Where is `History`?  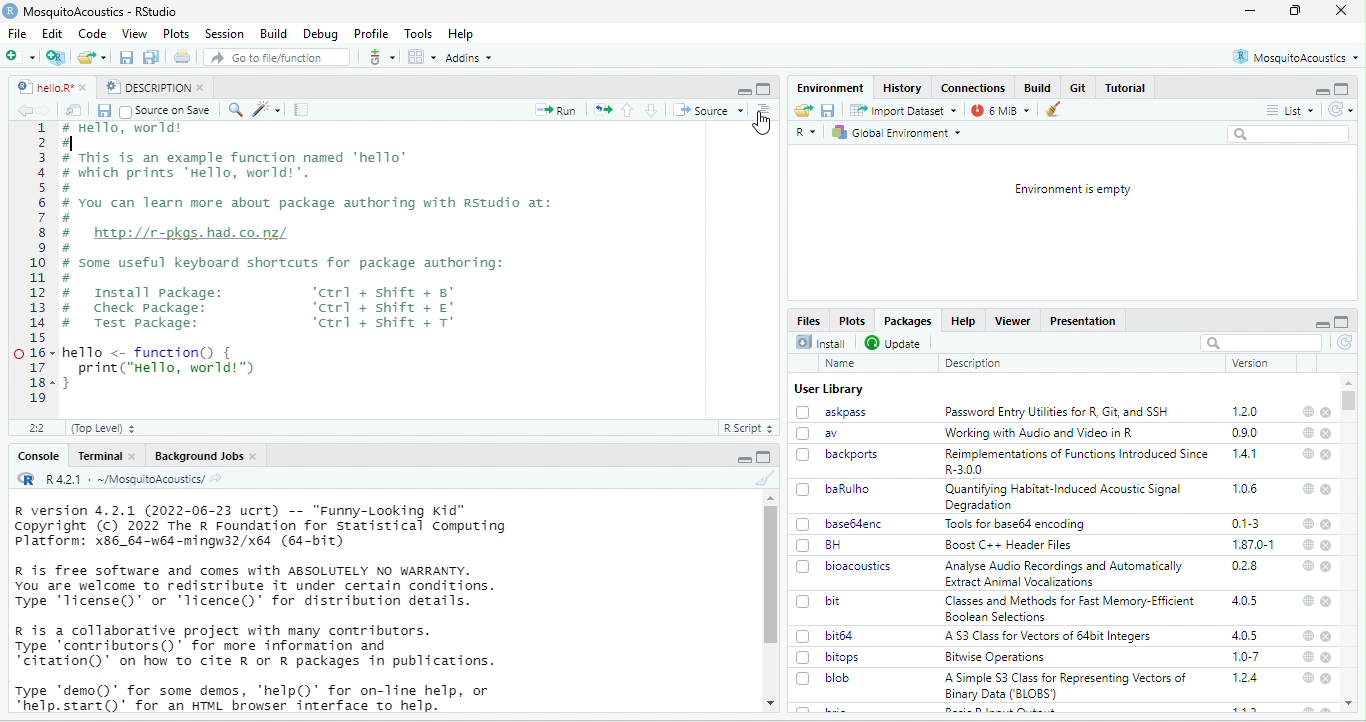 History is located at coordinates (902, 88).